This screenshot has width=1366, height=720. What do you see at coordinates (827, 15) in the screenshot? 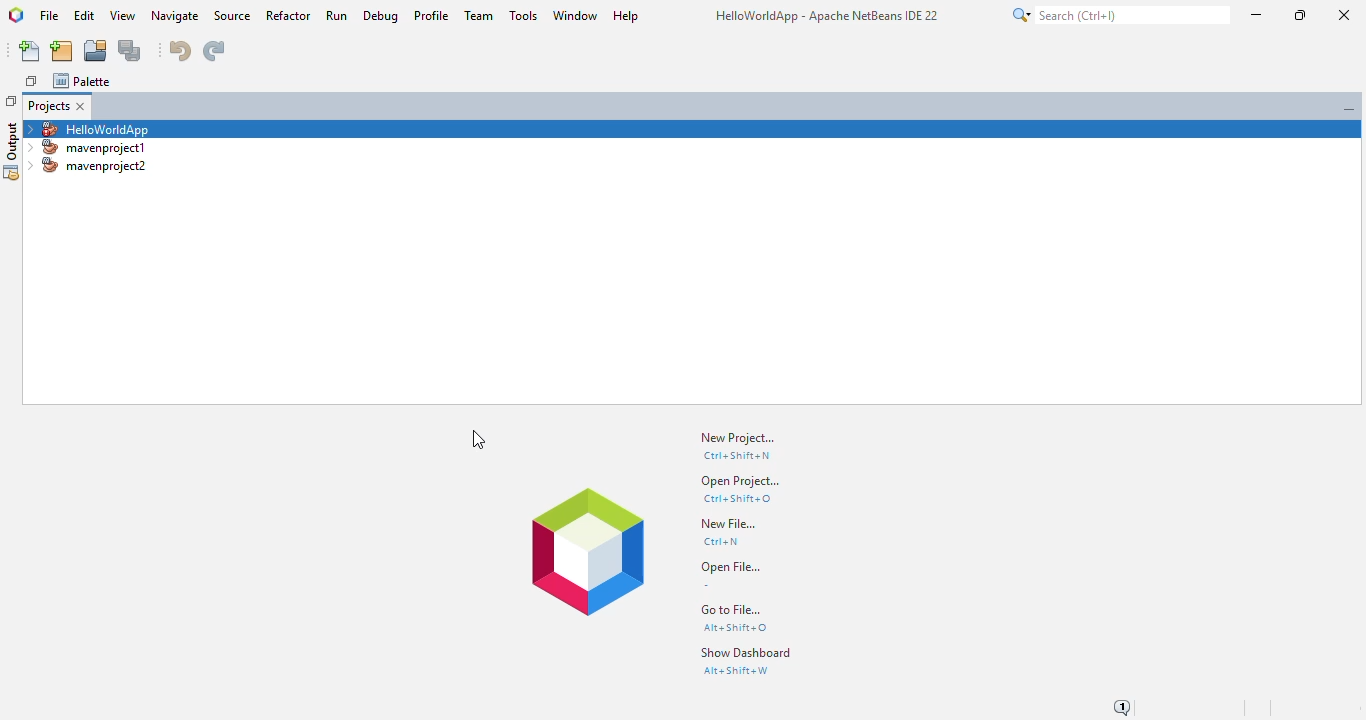
I see `title` at bounding box center [827, 15].